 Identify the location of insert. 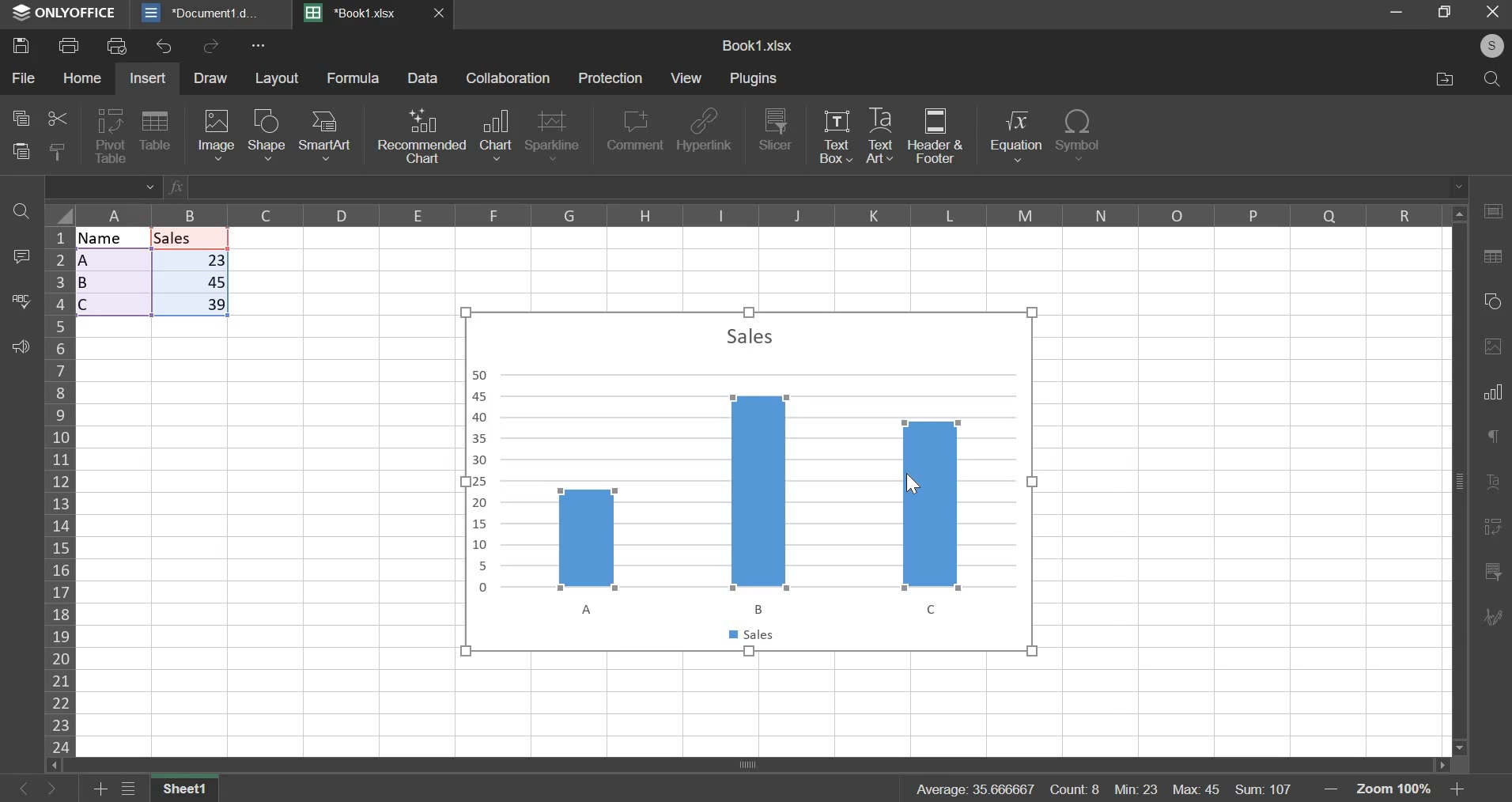
(149, 78).